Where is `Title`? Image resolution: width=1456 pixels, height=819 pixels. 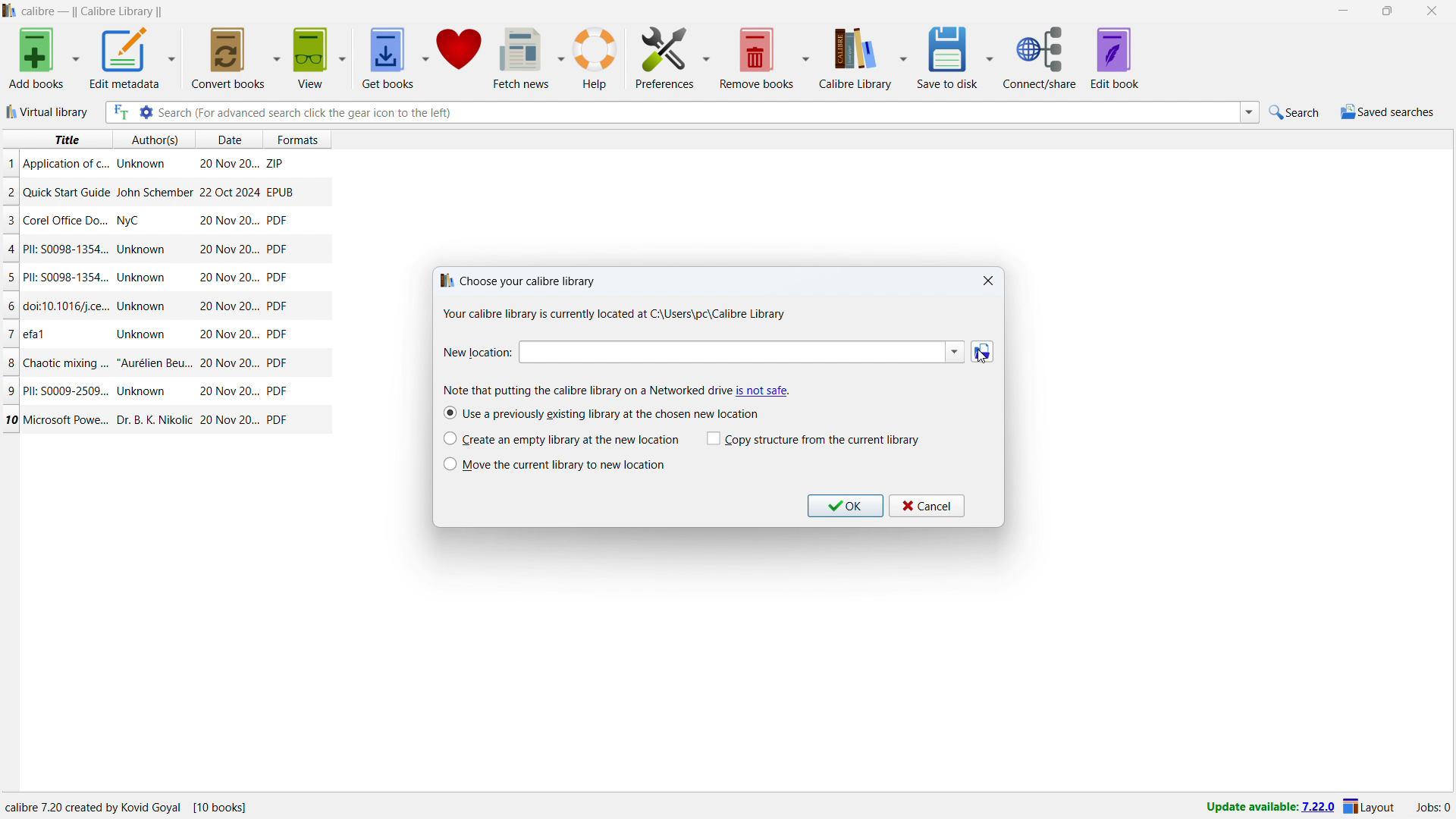
Title is located at coordinates (70, 220).